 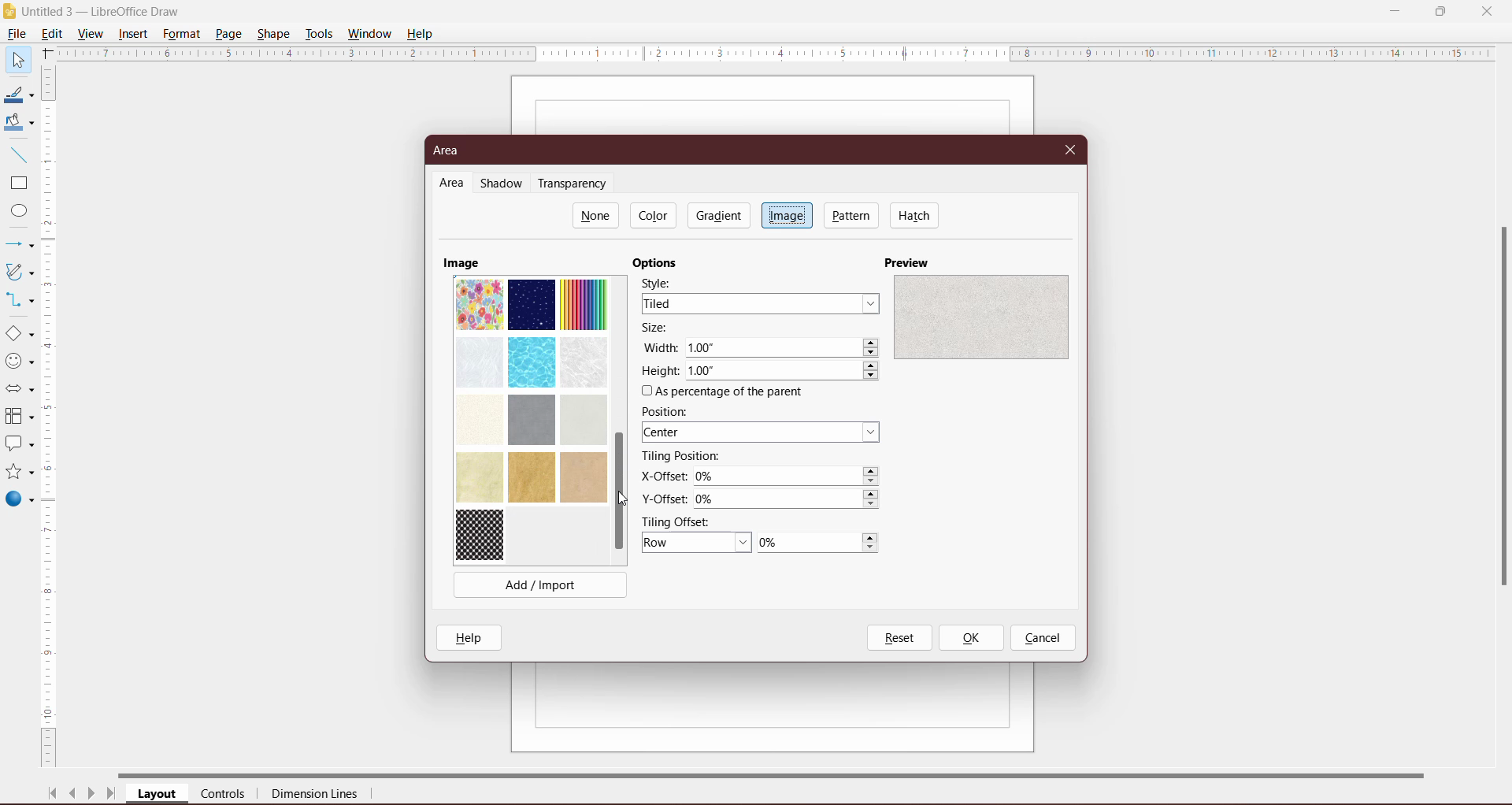 I want to click on Color, so click(x=655, y=215).